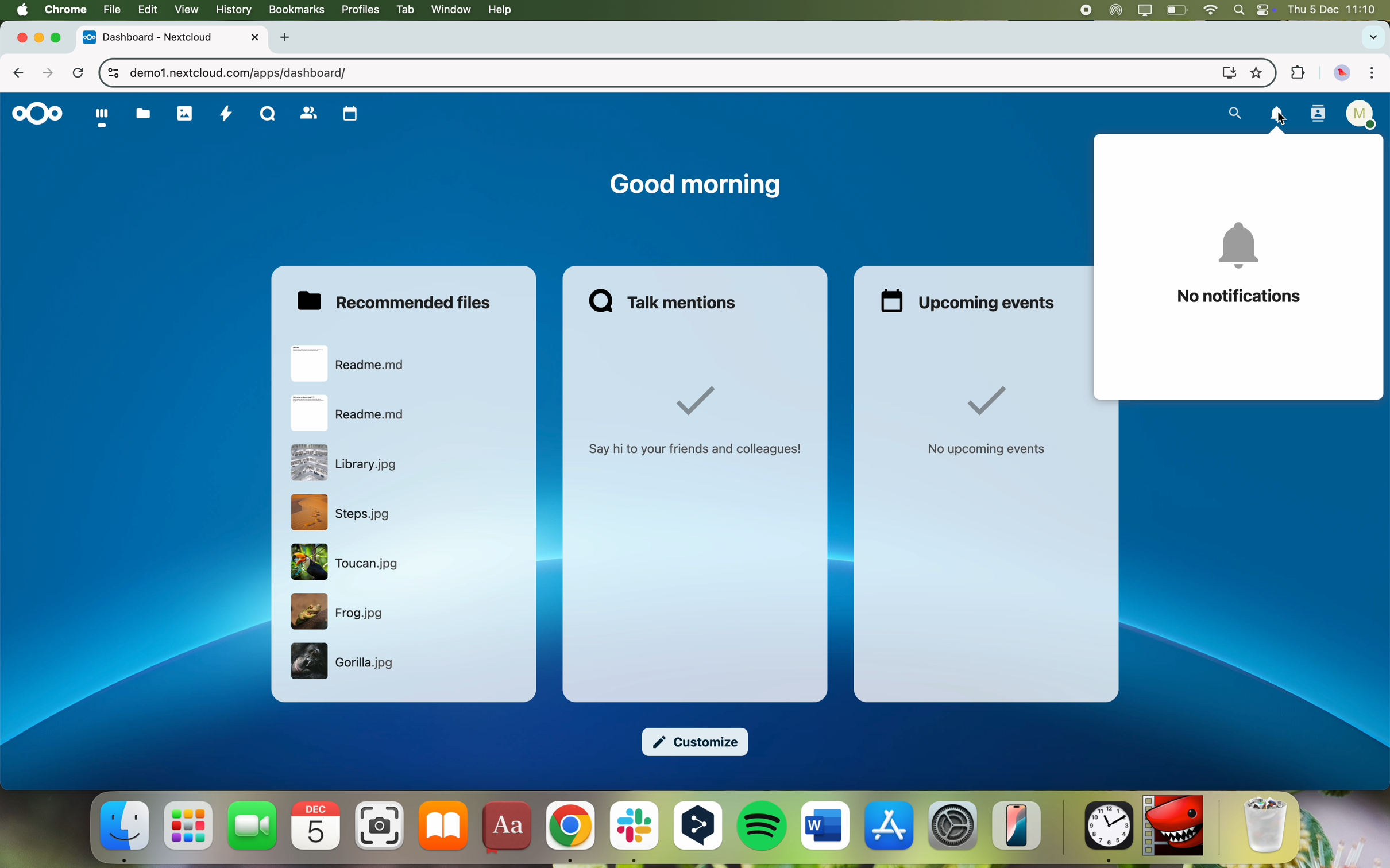 This screenshot has width=1390, height=868. Describe the element at coordinates (1232, 114) in the screenshot. I see `search` at that location.